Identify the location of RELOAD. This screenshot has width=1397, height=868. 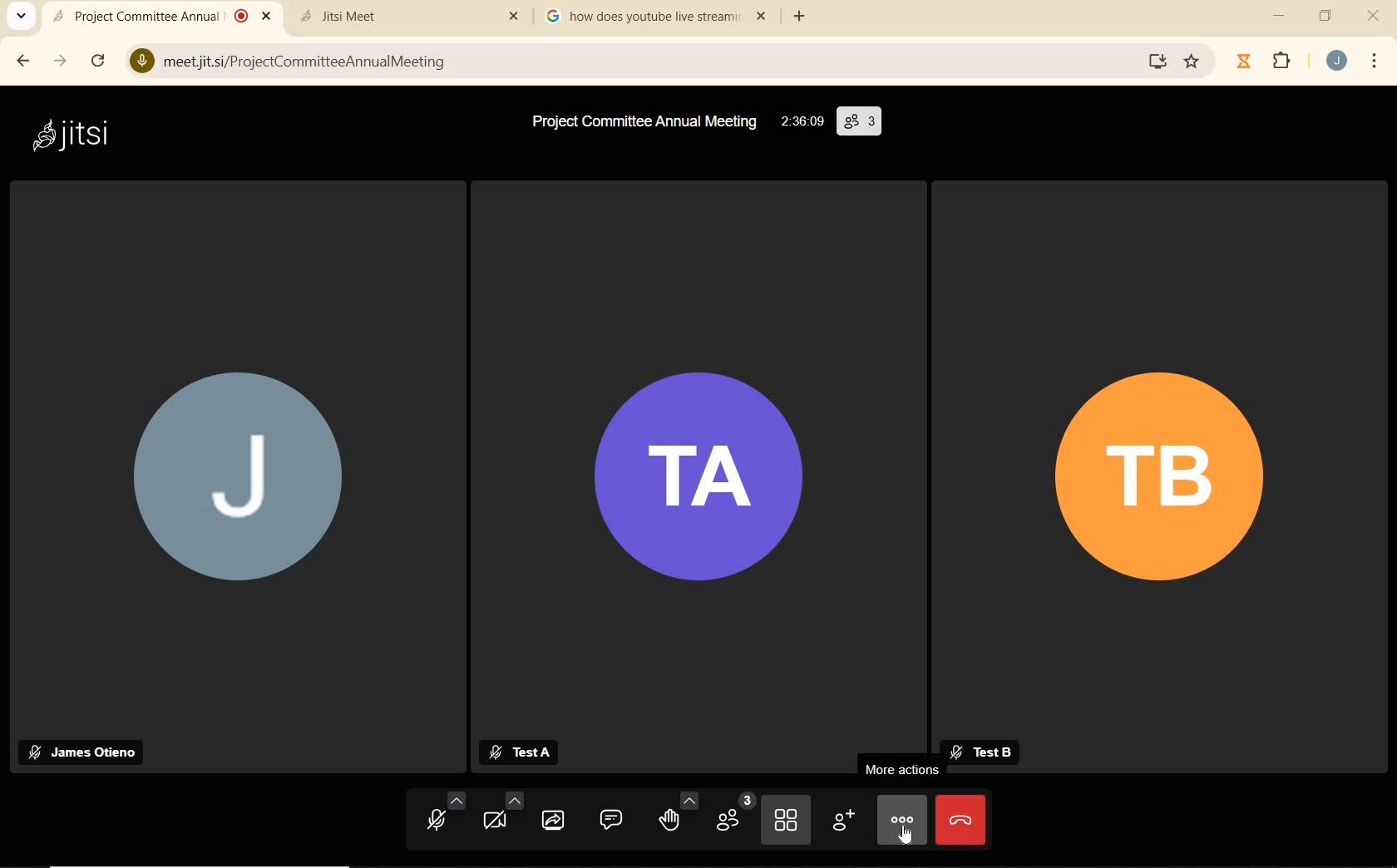
(98, 60).